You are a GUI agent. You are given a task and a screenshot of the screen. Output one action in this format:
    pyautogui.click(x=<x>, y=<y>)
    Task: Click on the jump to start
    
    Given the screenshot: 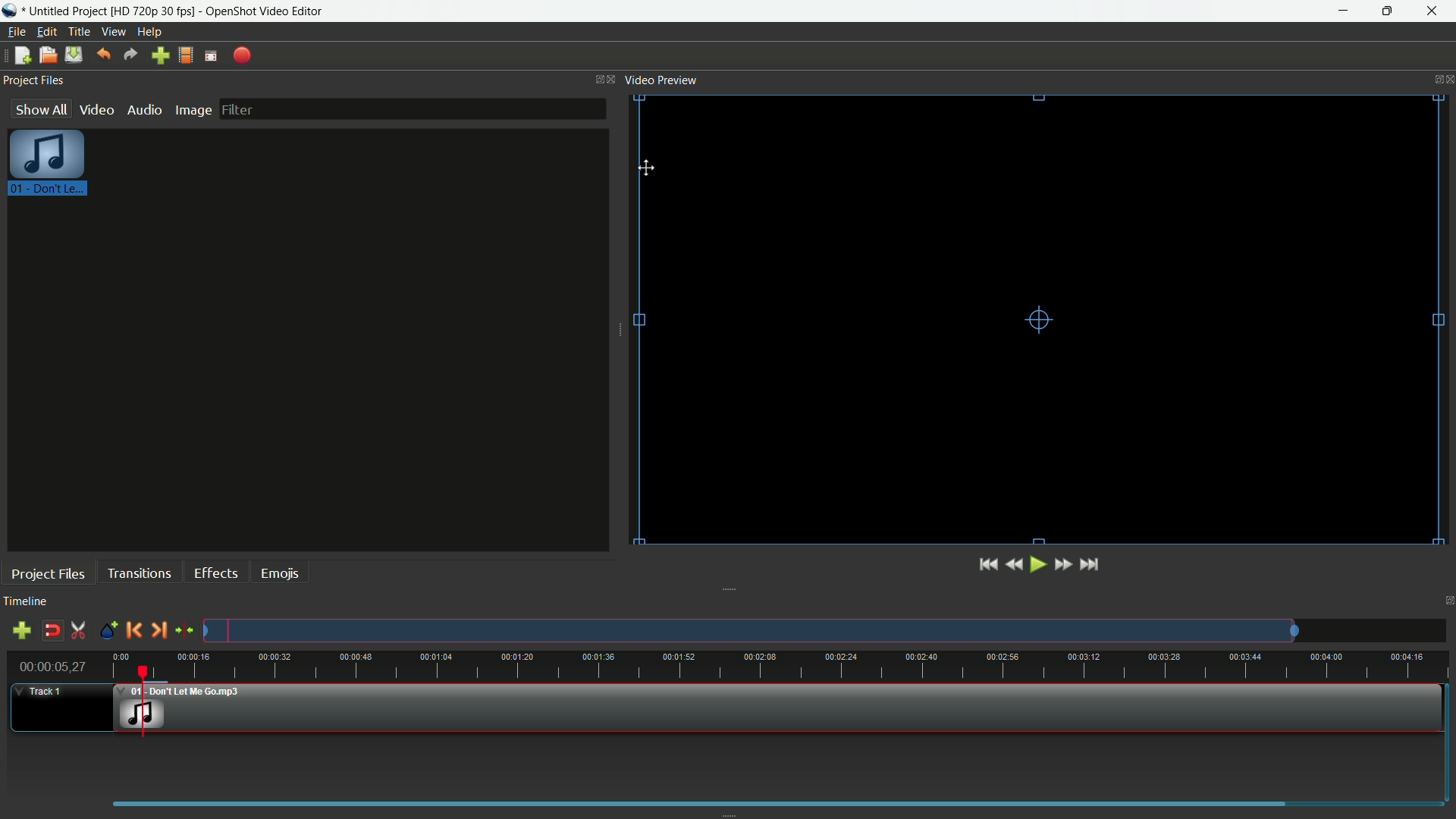 What is the action you would take?
    pyautogui.click(x=988, y=564)
    